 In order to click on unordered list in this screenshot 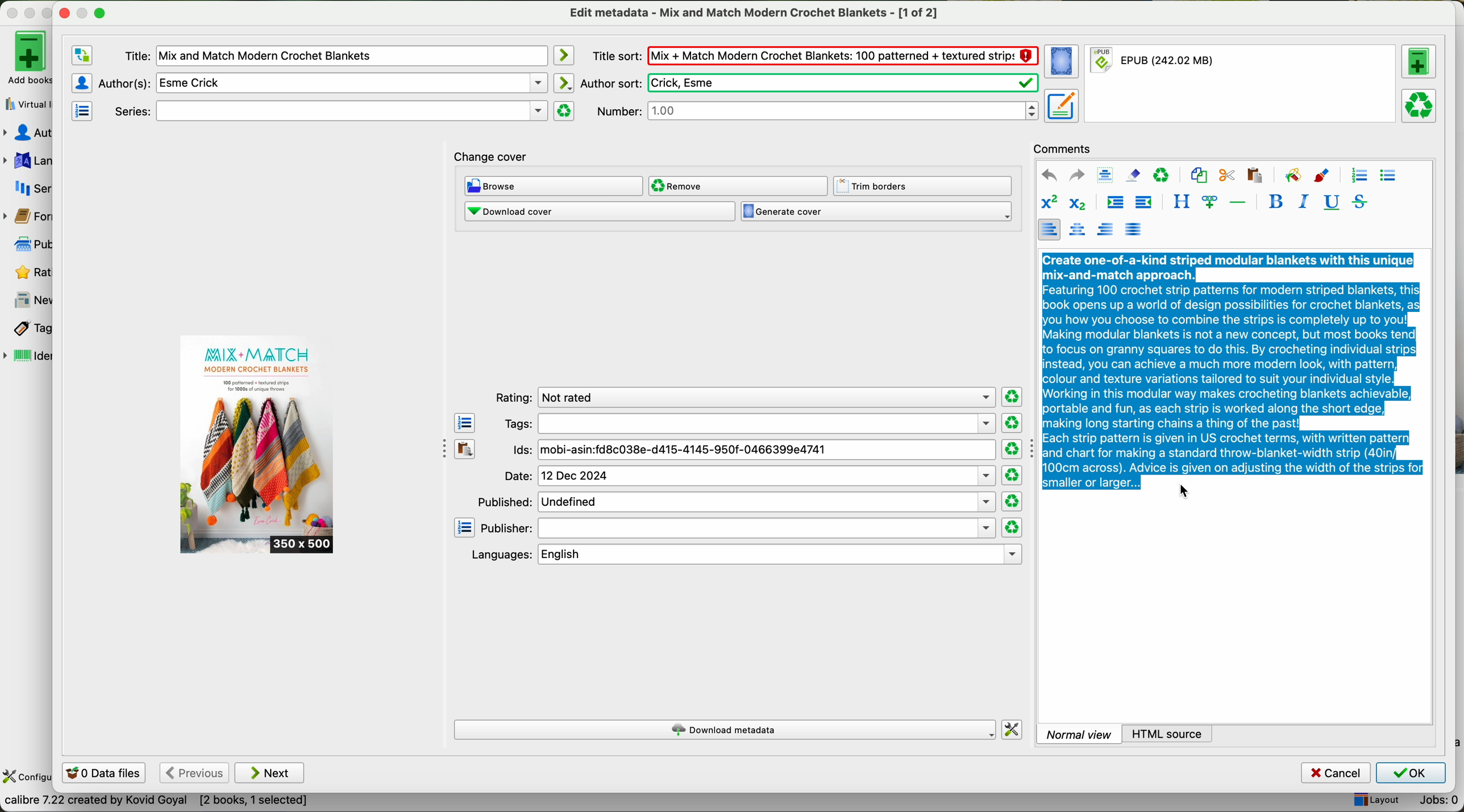, I will do `click(1387, 176)`.